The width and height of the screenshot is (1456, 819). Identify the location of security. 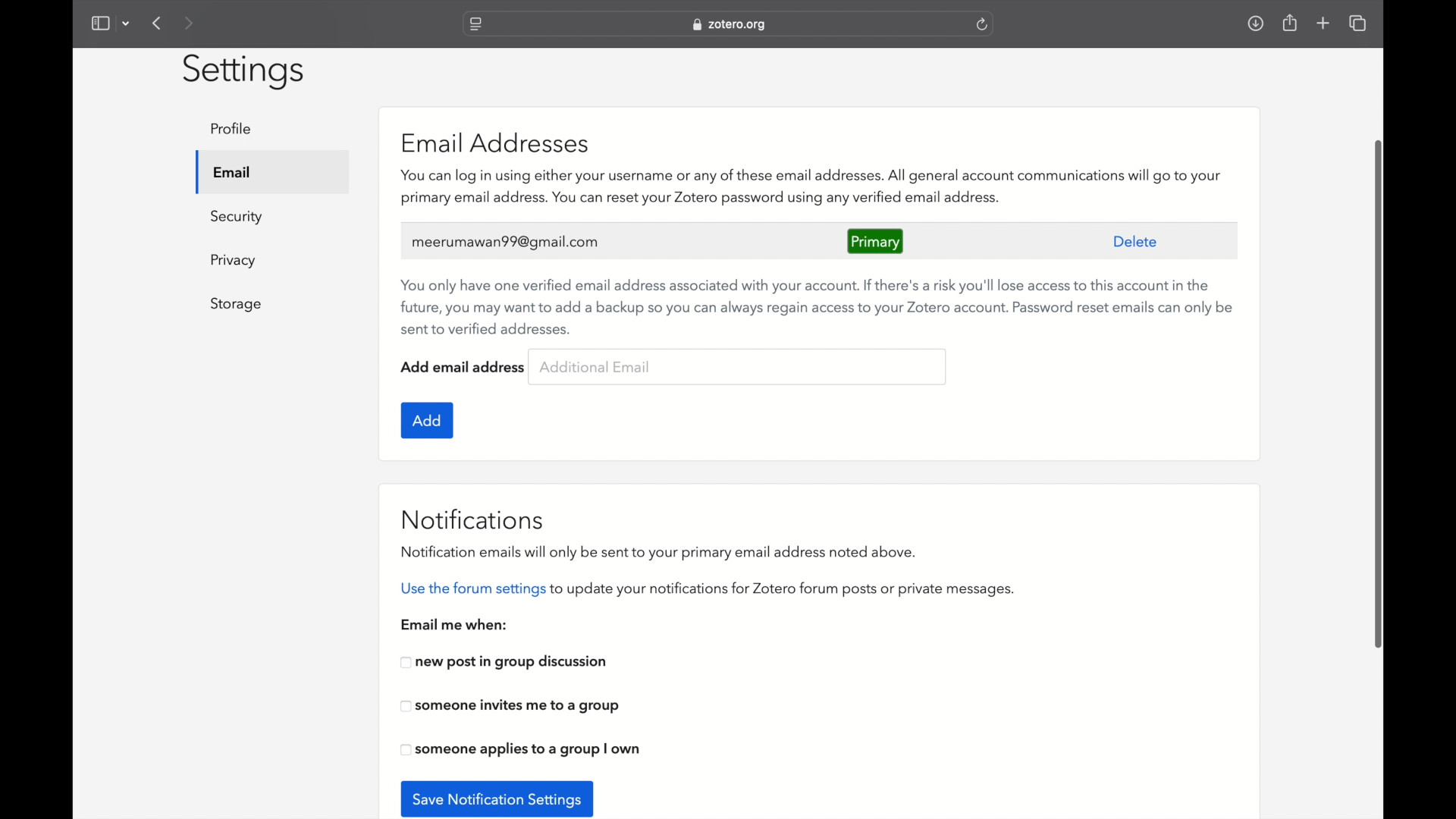
(237, 216).